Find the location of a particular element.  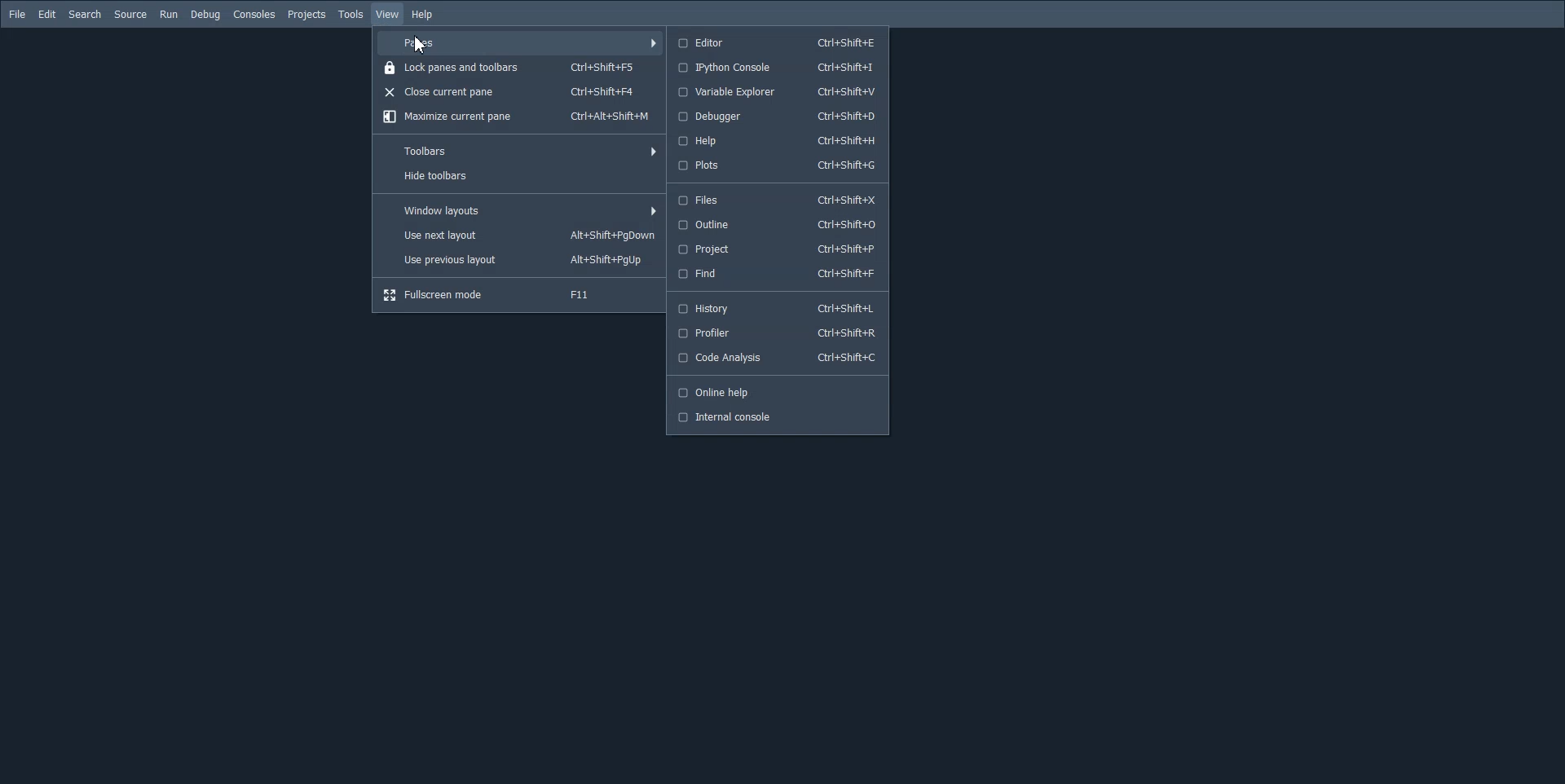

Plots is located at coordinates (779, 165).